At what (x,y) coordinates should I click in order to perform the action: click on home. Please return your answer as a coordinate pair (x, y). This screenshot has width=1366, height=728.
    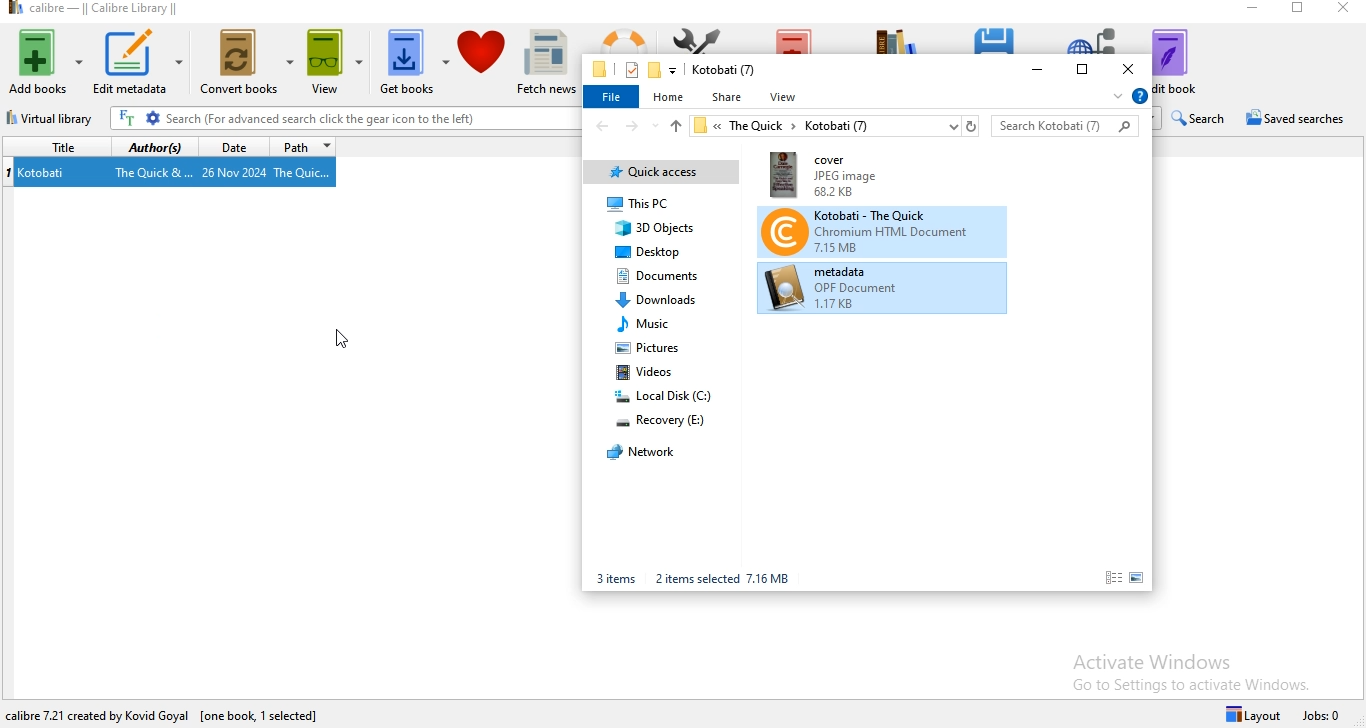
    Looking at the image, I should click on (670, 96).